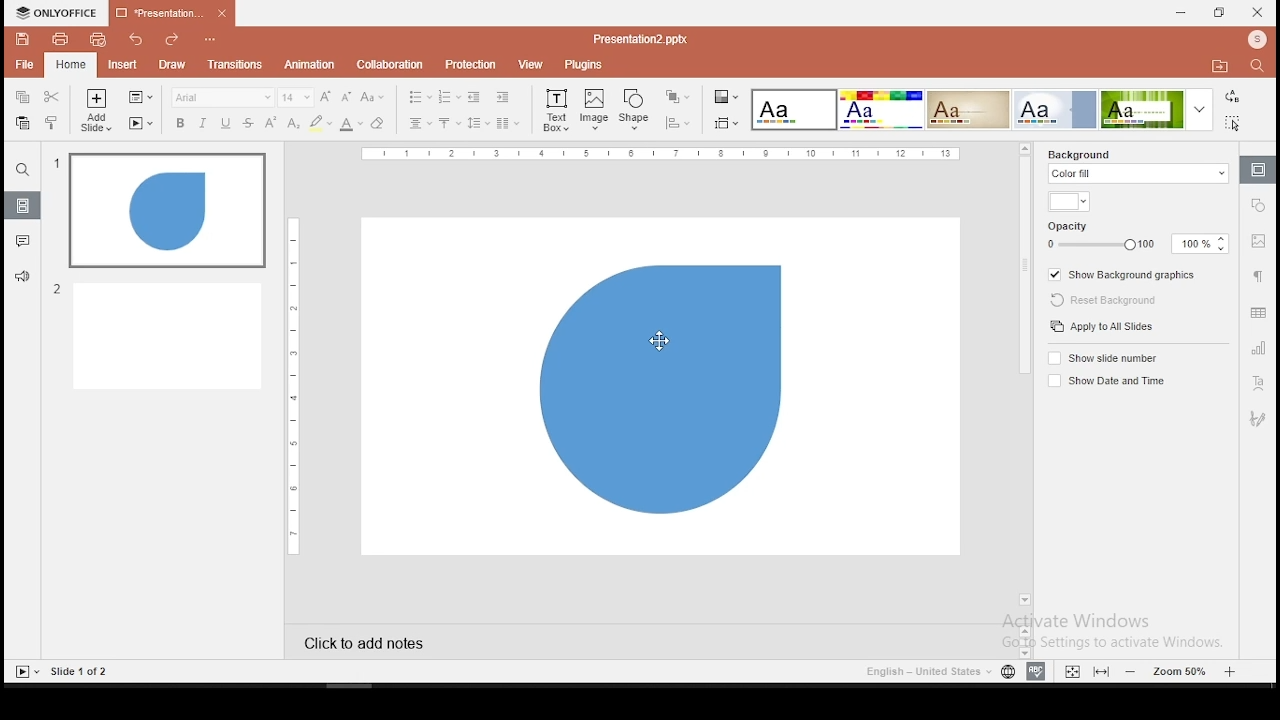  What do you see at coordinates (1056, 109) in the screenshot?
I see `theme` at bounding box center [1056, 109].